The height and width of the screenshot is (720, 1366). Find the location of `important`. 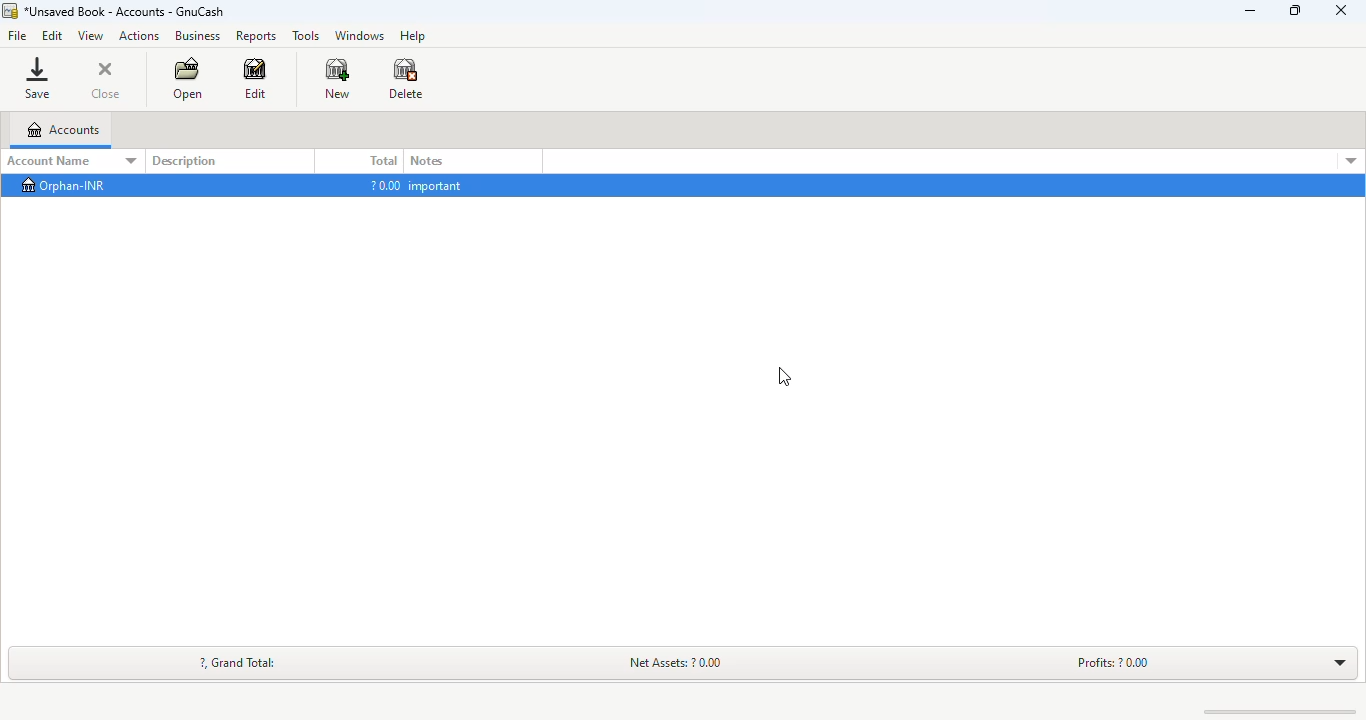

important is located at coordinates (438, 185).